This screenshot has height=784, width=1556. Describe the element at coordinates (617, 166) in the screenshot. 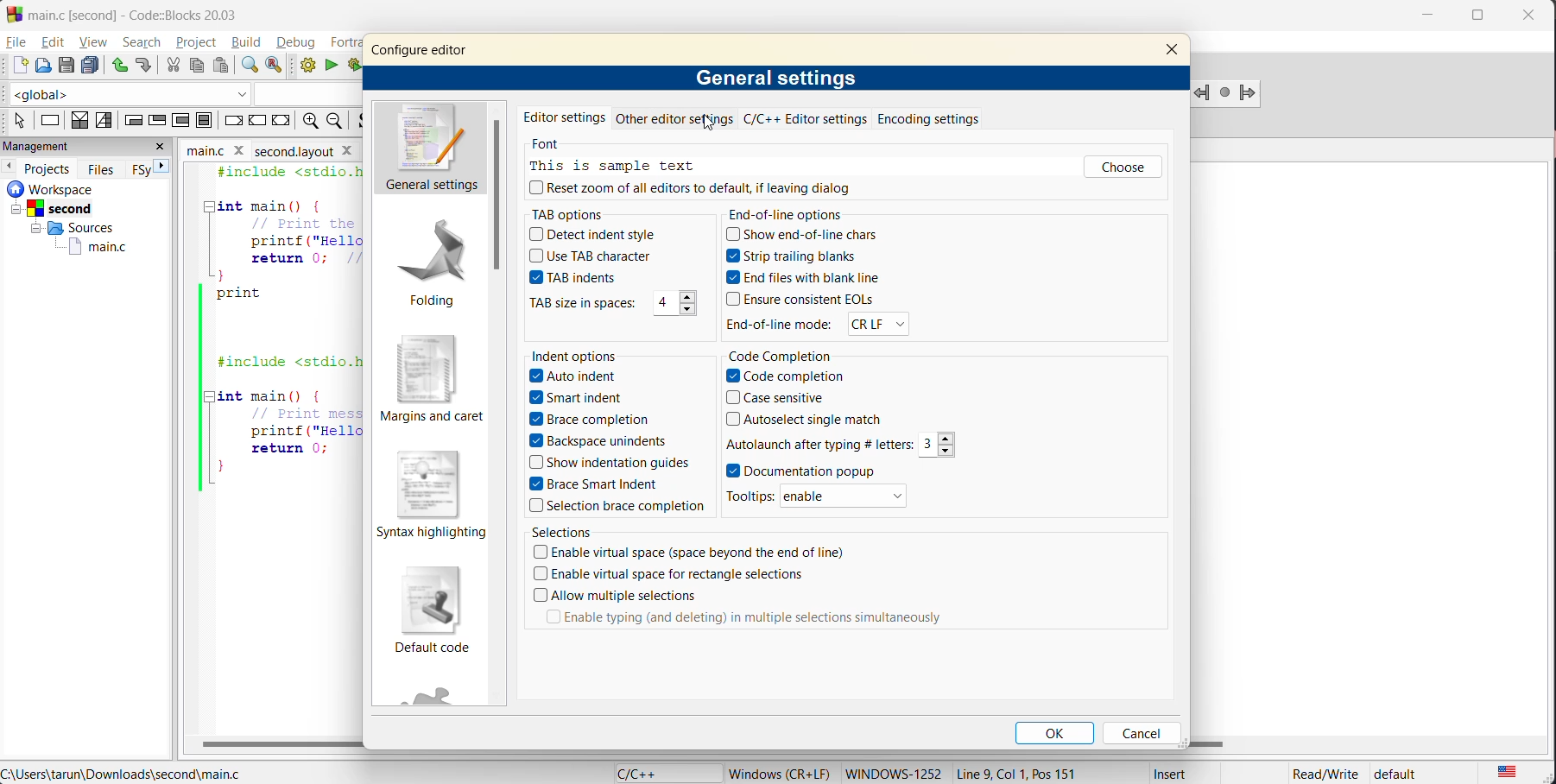

I see `this is sample text` at that location.